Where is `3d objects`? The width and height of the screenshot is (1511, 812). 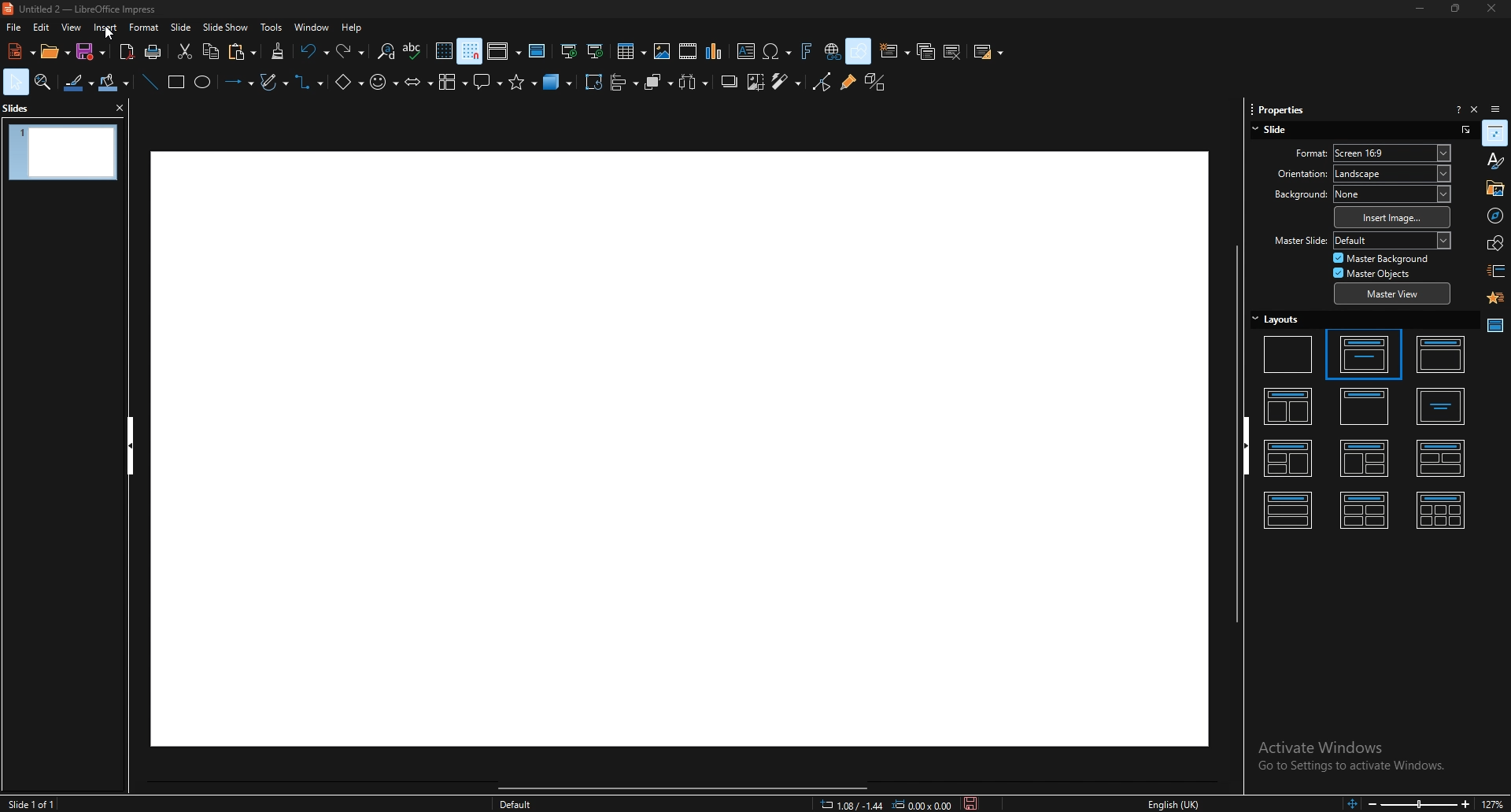
3d objects is located at coordinates (560, 83).